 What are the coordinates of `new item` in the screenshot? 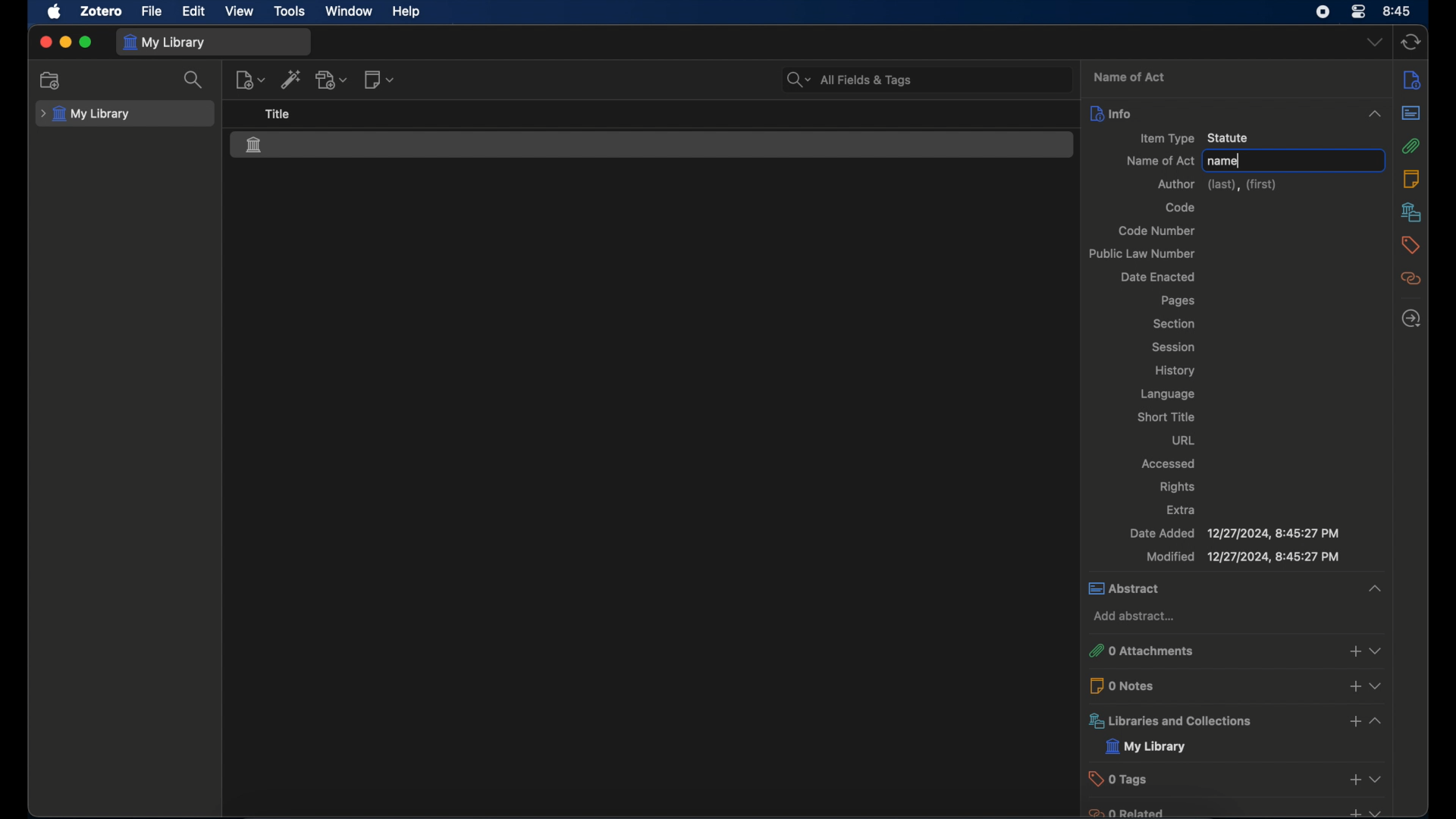 It's located at (250, 81).